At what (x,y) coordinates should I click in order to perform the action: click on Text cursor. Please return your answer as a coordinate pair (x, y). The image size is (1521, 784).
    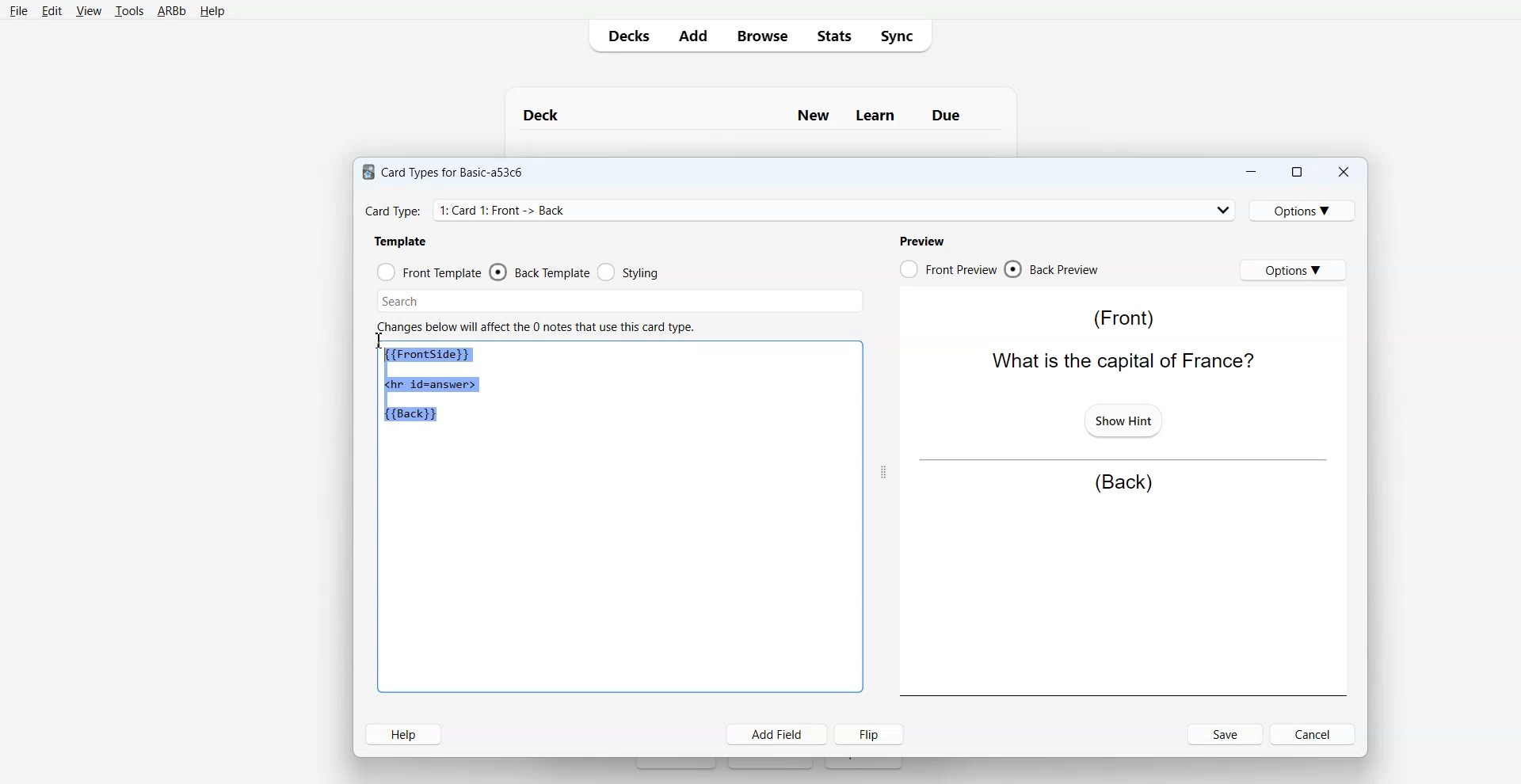
    Looking at the image, I should click on (380, 343).